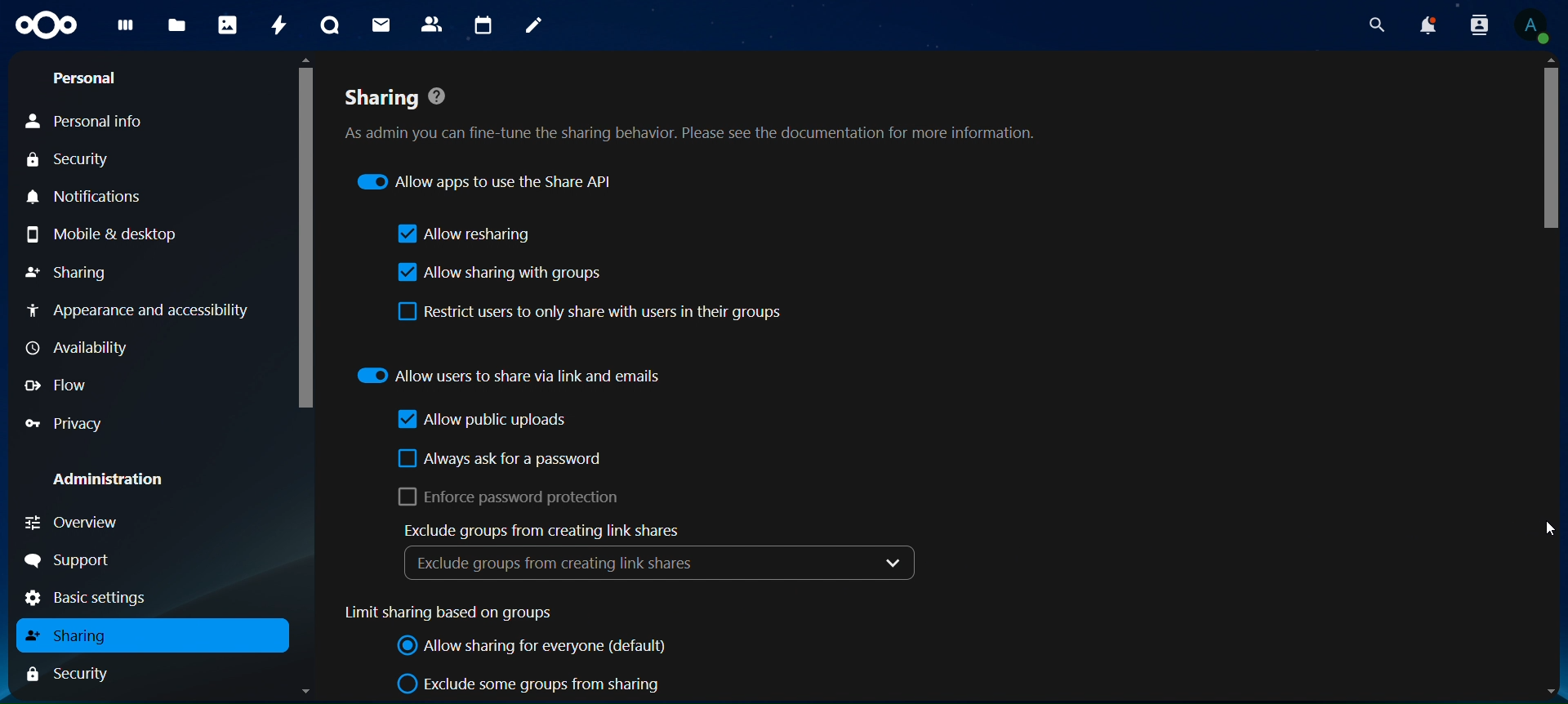  I want to click on notifications, so click(1427, 25).